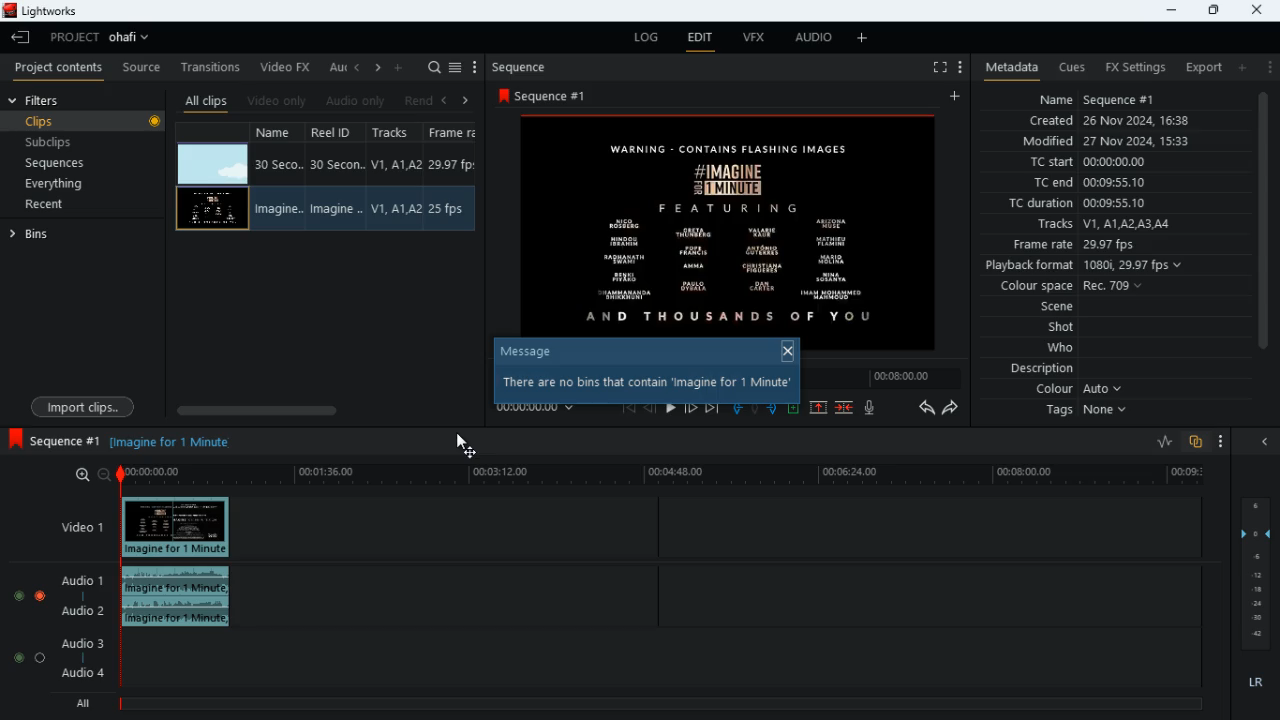 The width and height of the screenshot is (1280, 720). Describe the element at coordinates (358, 101) in the screenshot. I see `audio only` at that location.